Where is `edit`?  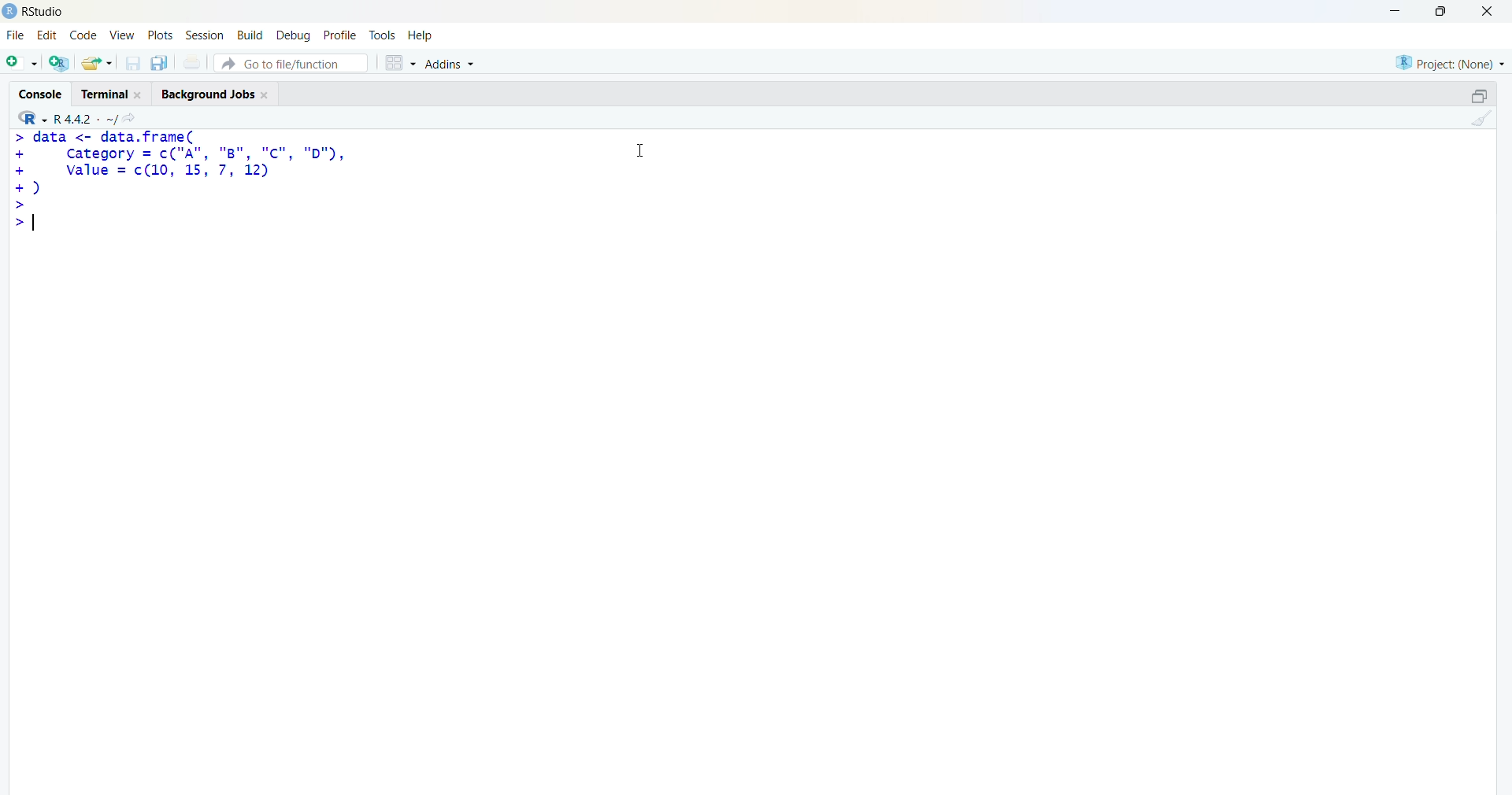
edit is located at coordinates (47, 35).